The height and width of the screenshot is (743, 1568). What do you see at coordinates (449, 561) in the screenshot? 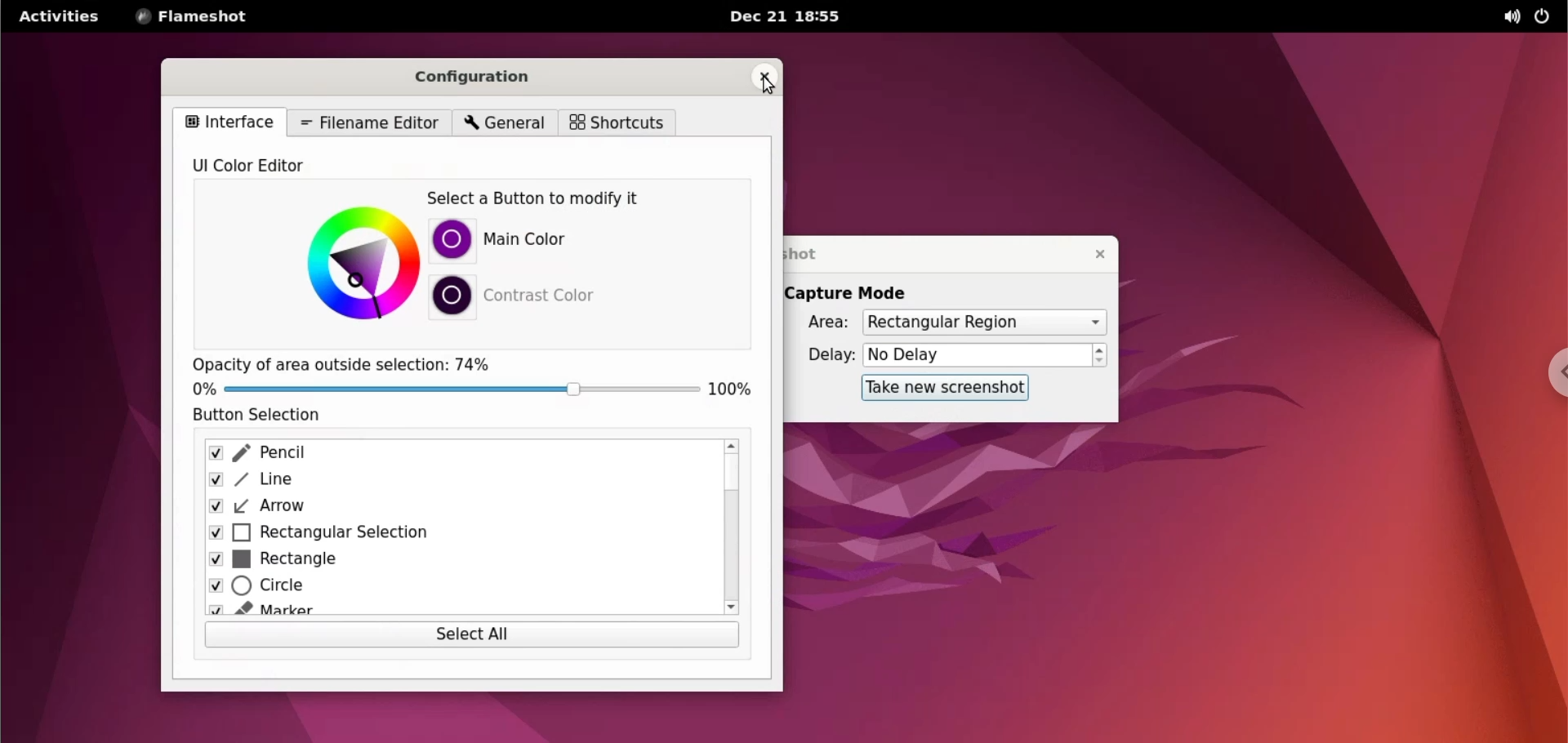
I see `rectangle` at bounding box center [449, 561].